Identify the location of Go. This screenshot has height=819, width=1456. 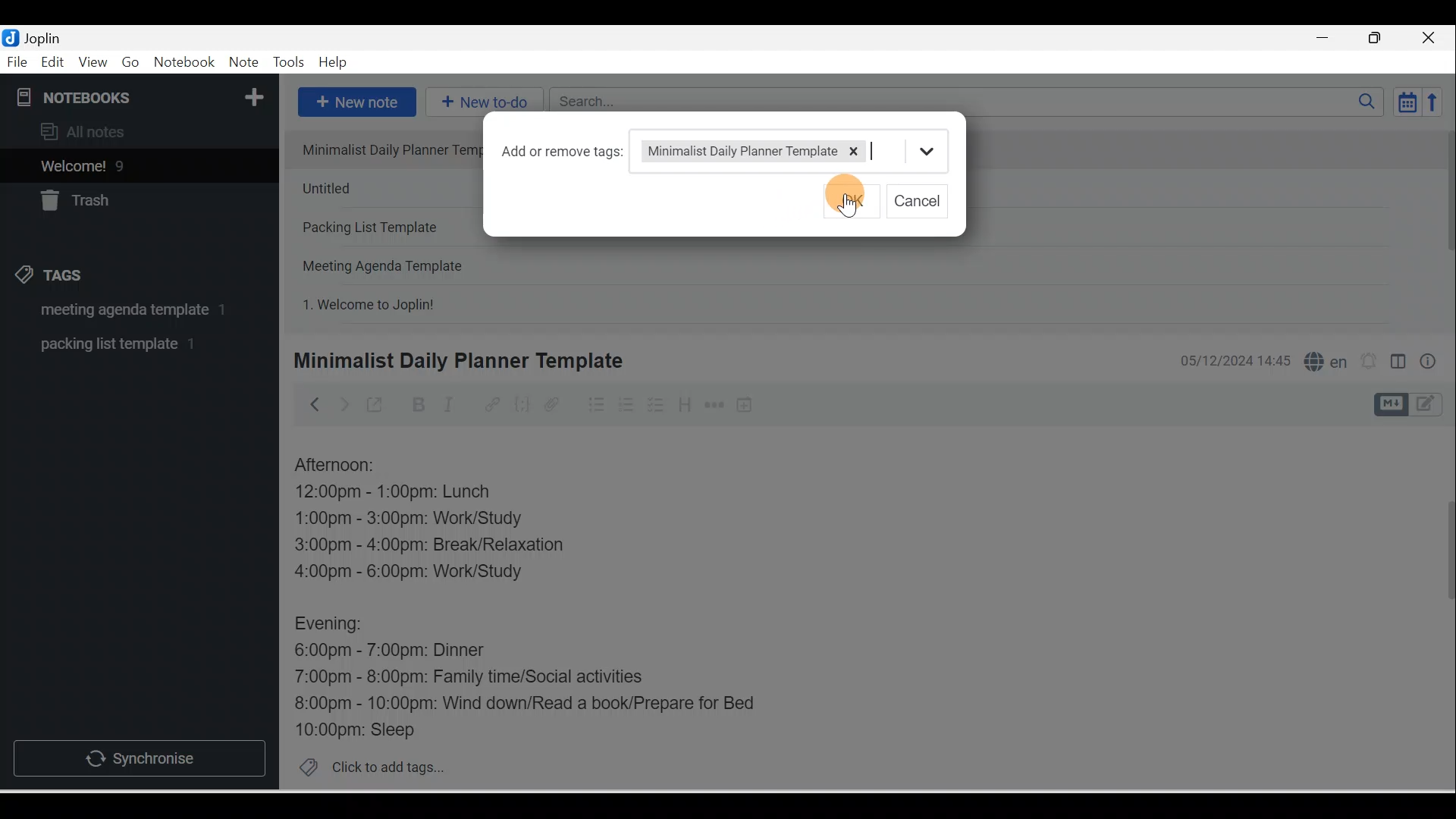
(133, 63).